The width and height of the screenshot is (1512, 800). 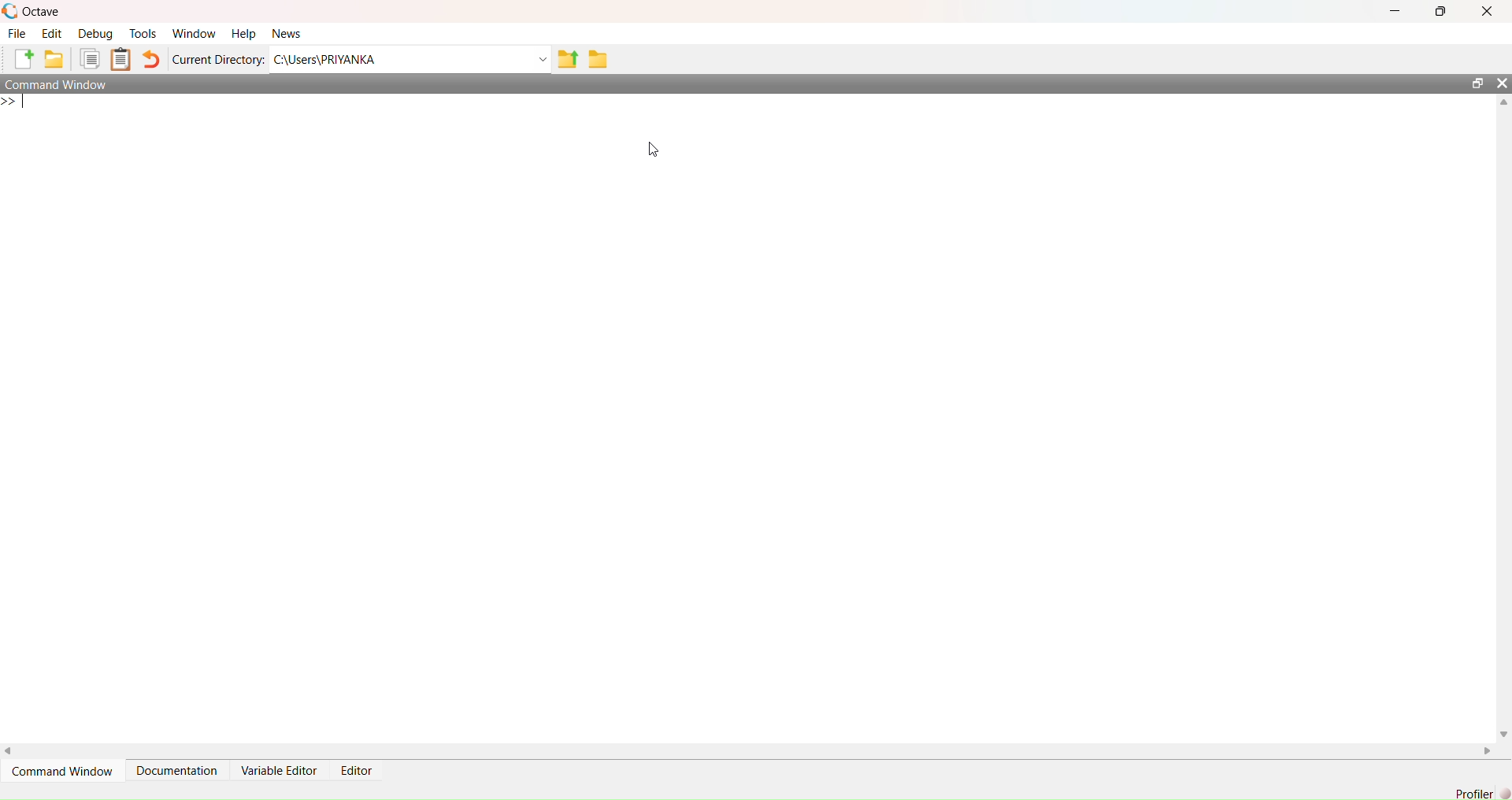 What do you see at coordinates (243, 33) in the screenshot?
I see `Help` at bounding box center [243, 33].